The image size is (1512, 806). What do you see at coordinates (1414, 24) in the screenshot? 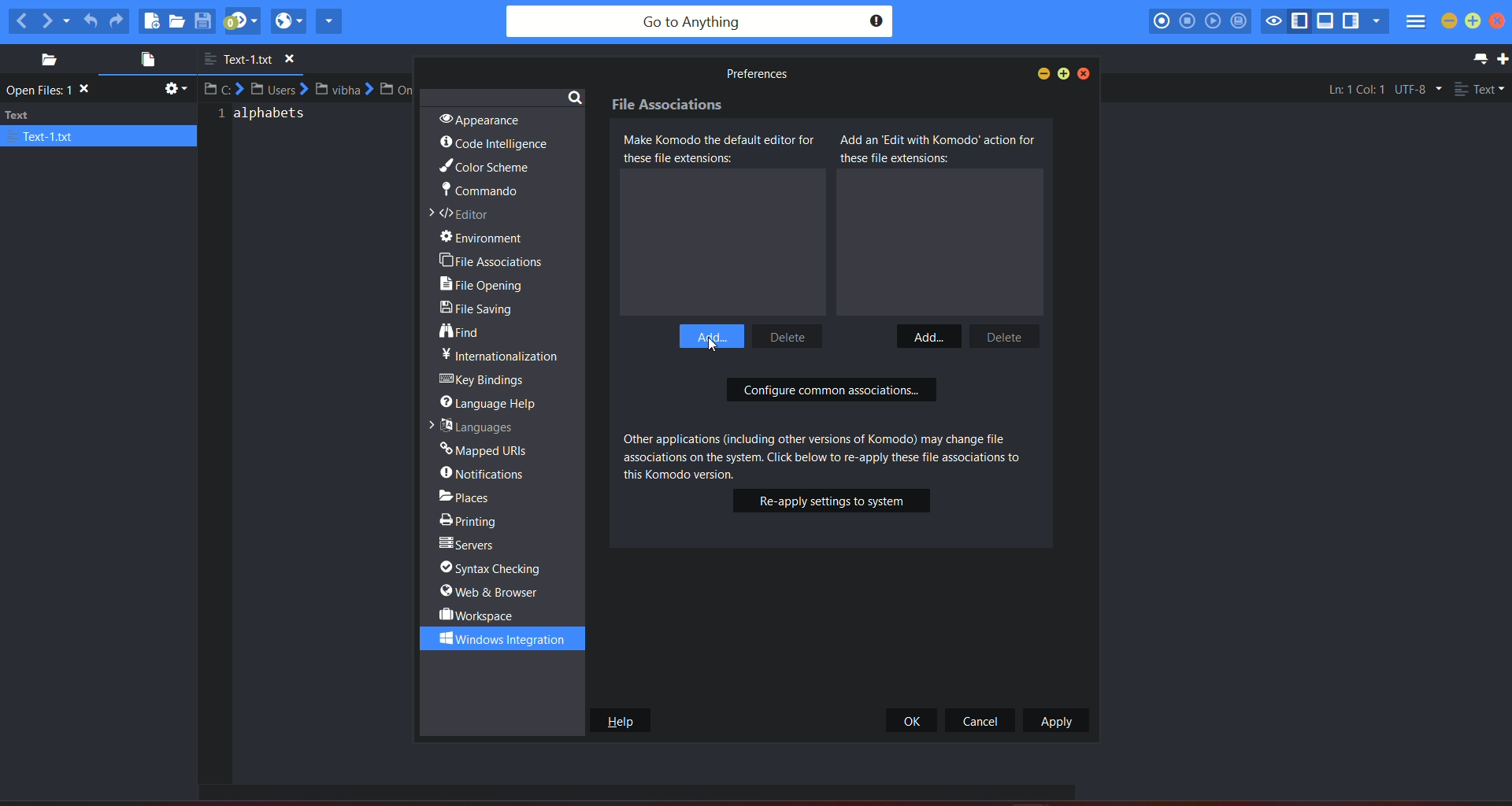
I see `menu` at bounding box center [1414, 24].